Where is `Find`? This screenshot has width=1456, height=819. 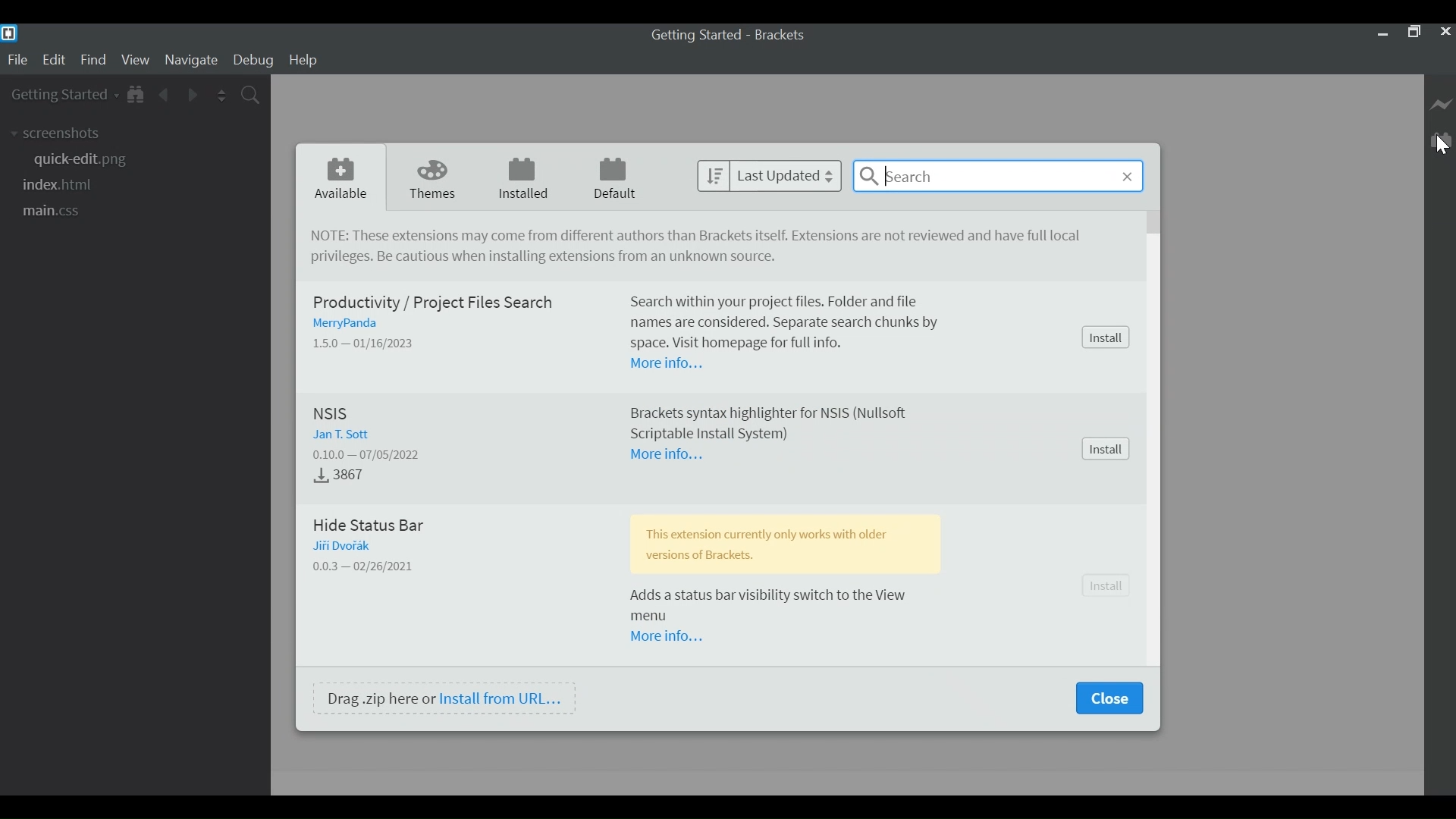 Find is located at coordinates (93, 61).